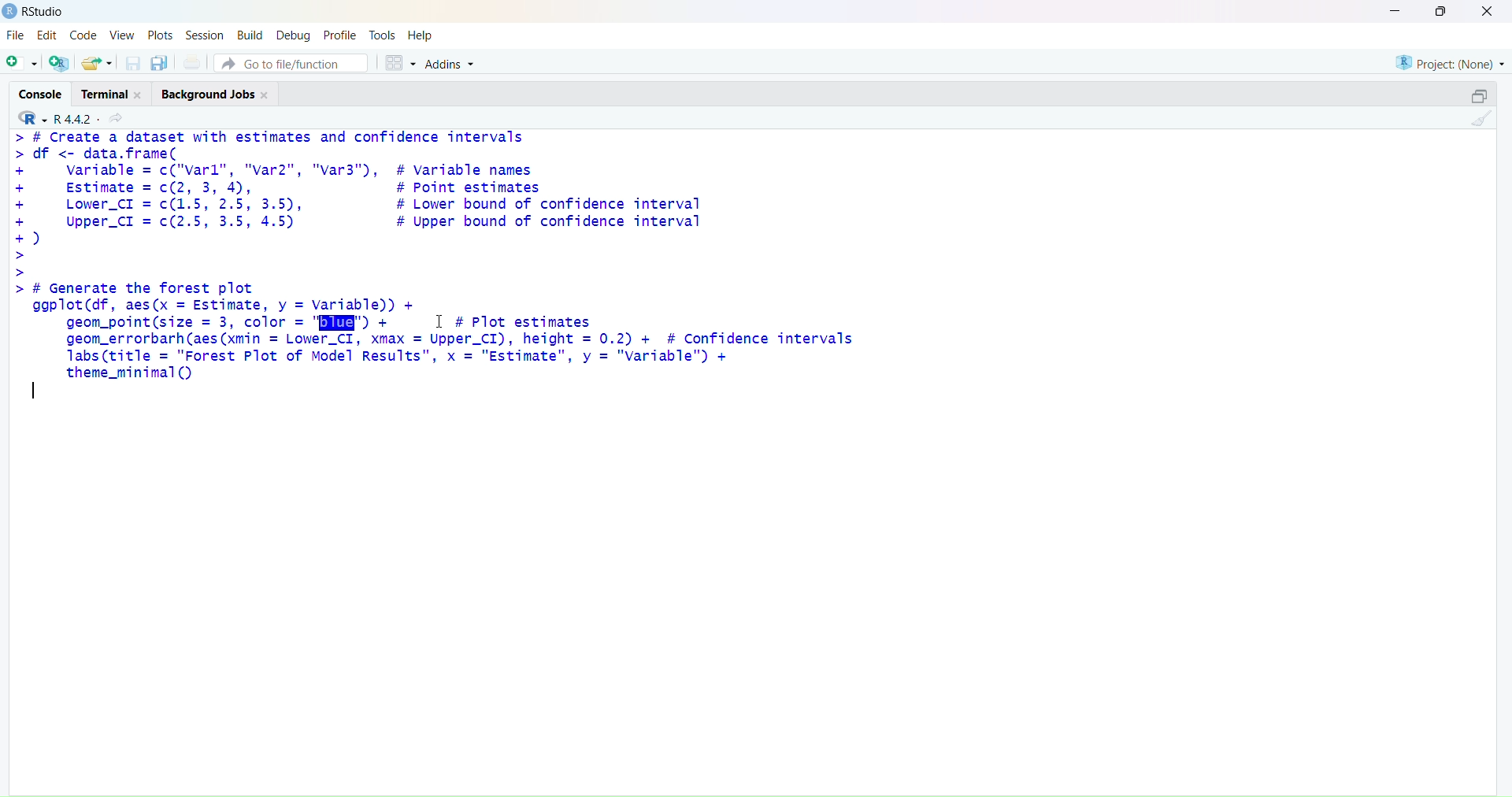  I want to click on File, so click(14, 35).